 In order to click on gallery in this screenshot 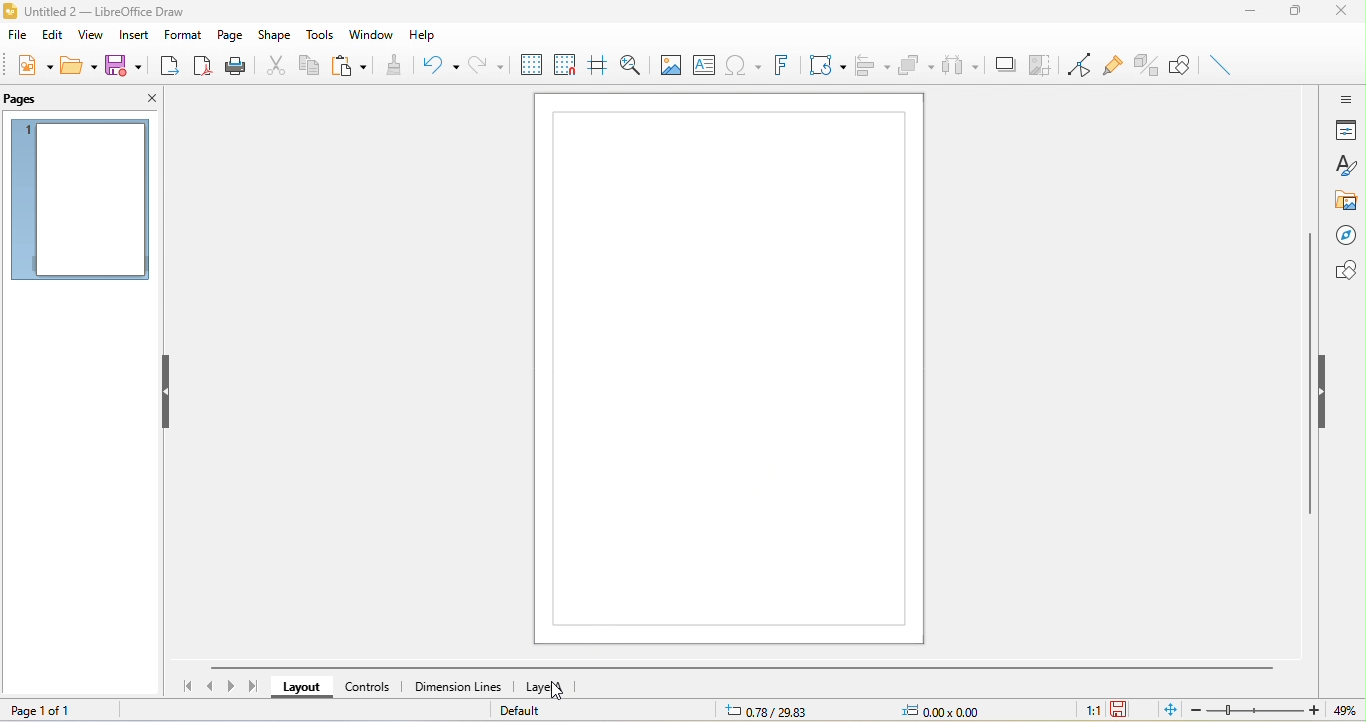, I will do `click(1345, 198)`.